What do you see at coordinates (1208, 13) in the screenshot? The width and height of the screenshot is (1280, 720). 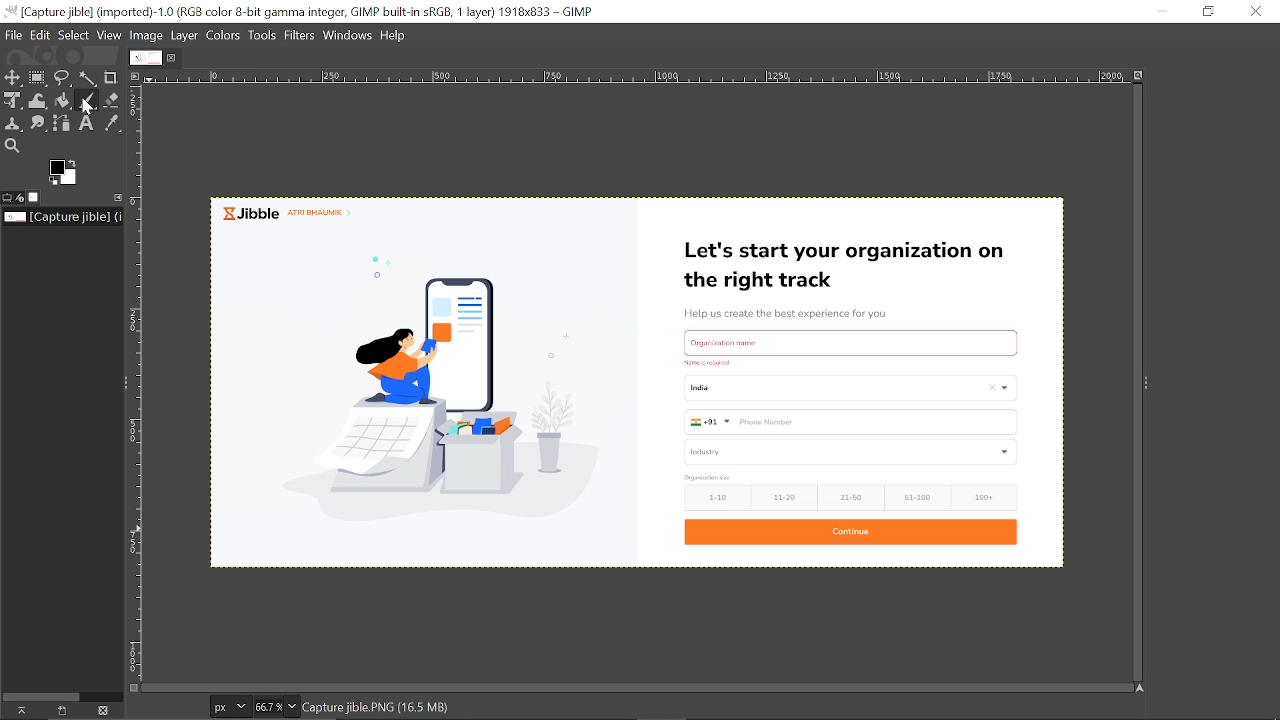 I see `` at bounding box center [1208, 13].